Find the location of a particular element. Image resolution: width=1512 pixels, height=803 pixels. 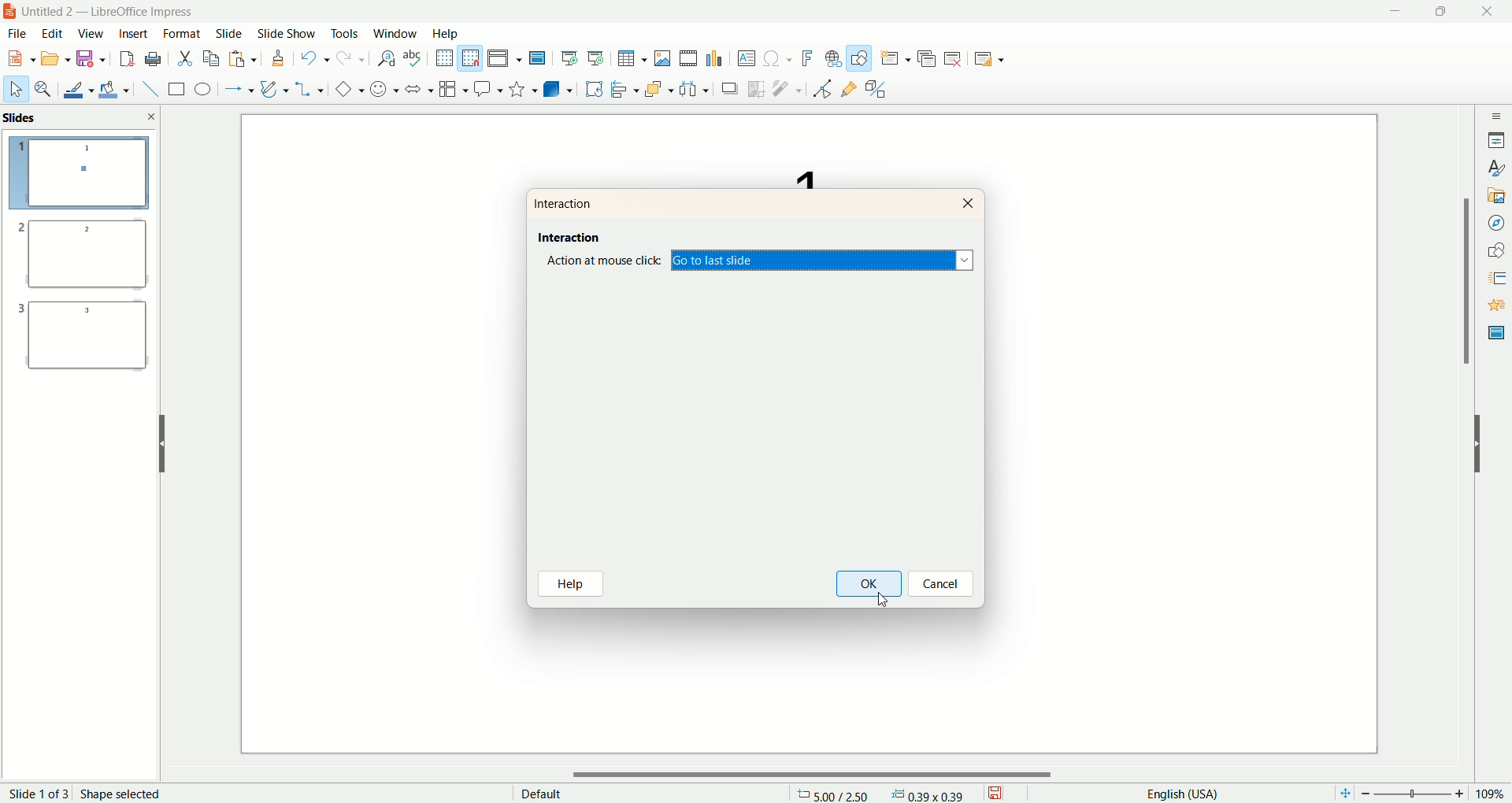

hide is located at coordinates (161, 441).